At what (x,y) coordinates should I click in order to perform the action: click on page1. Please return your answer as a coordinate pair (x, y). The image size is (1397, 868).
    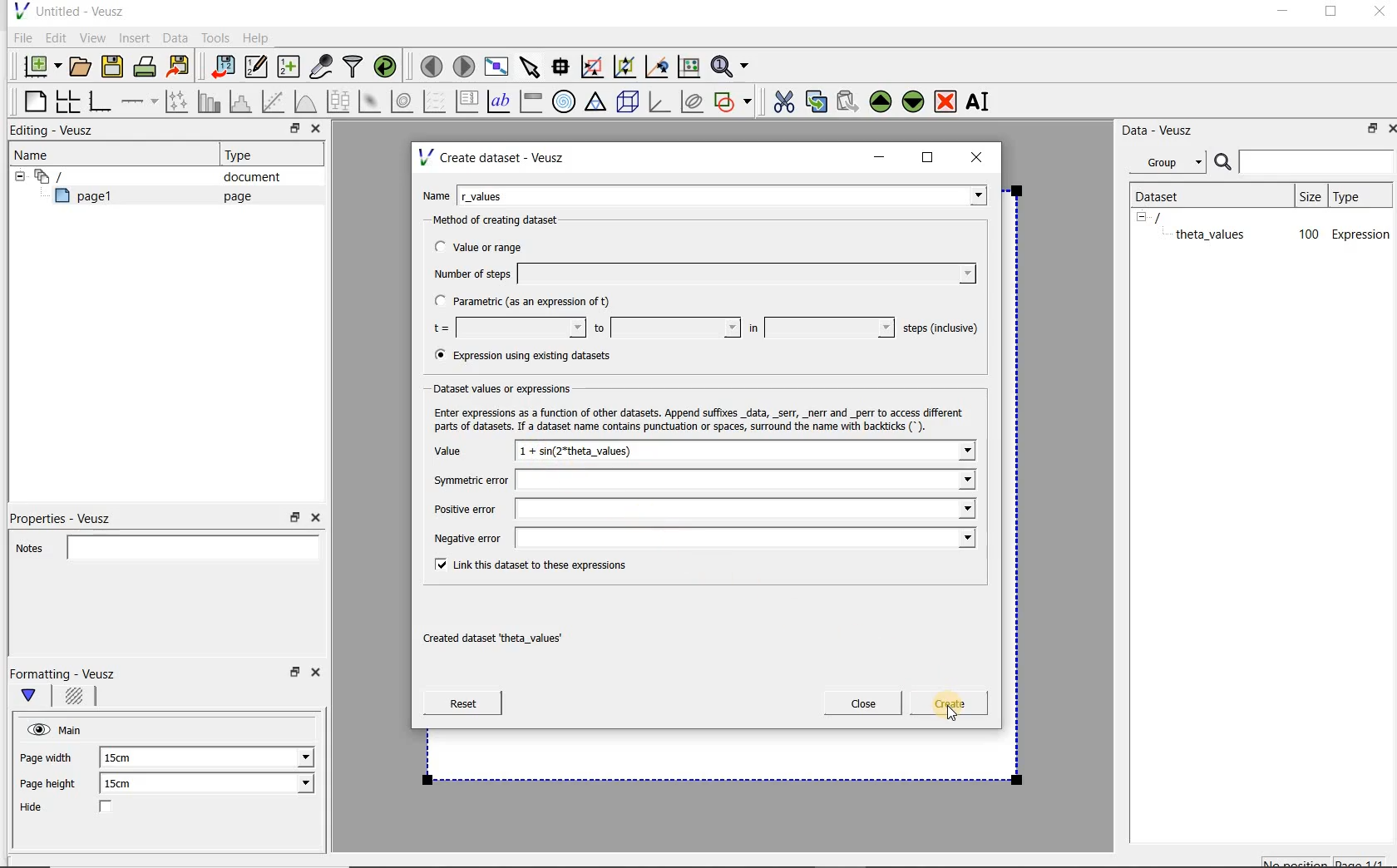
    Looking at the image, I should click on (91, 199).